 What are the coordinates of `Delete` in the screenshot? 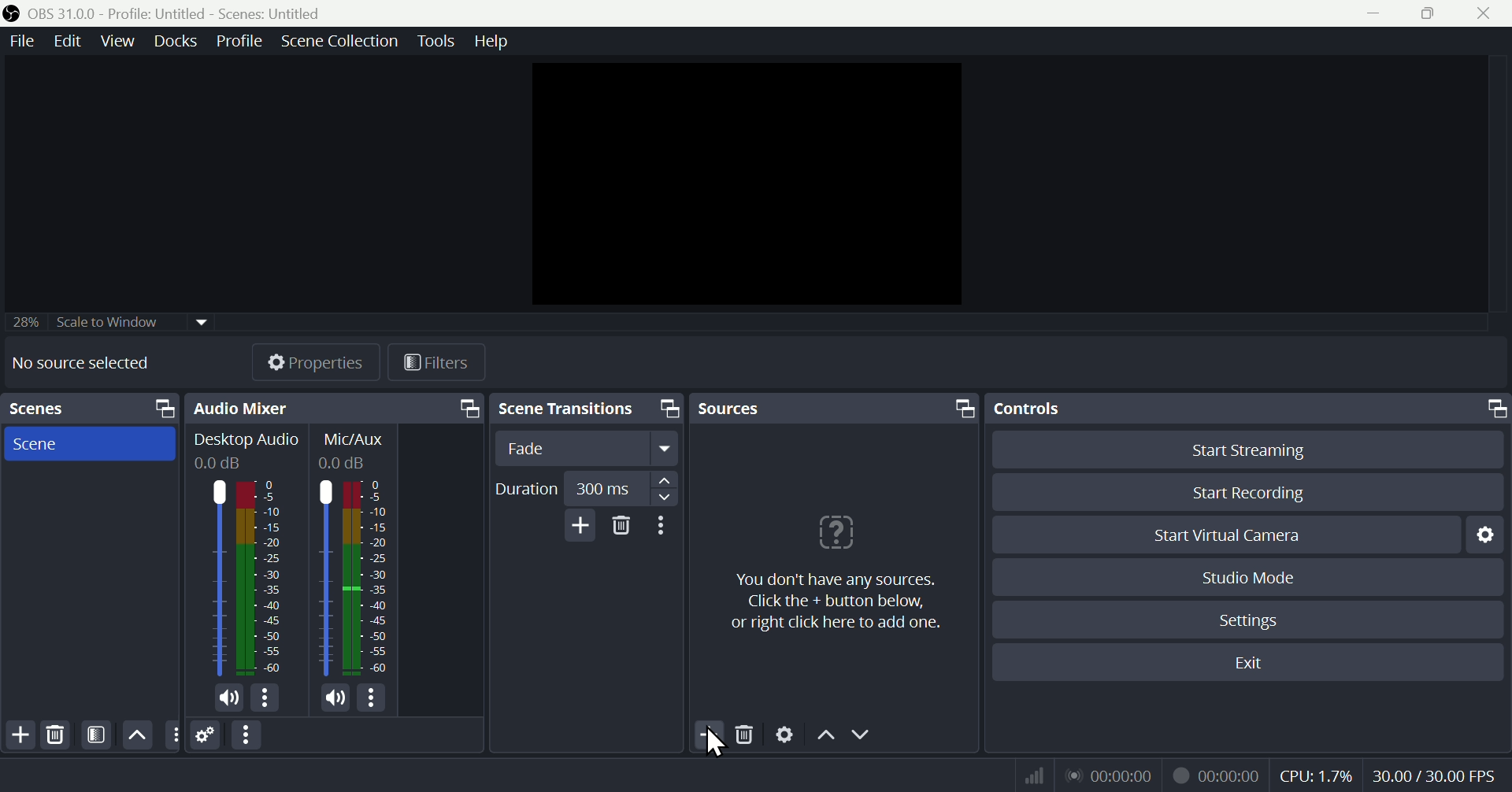 It's located at (622, 526).